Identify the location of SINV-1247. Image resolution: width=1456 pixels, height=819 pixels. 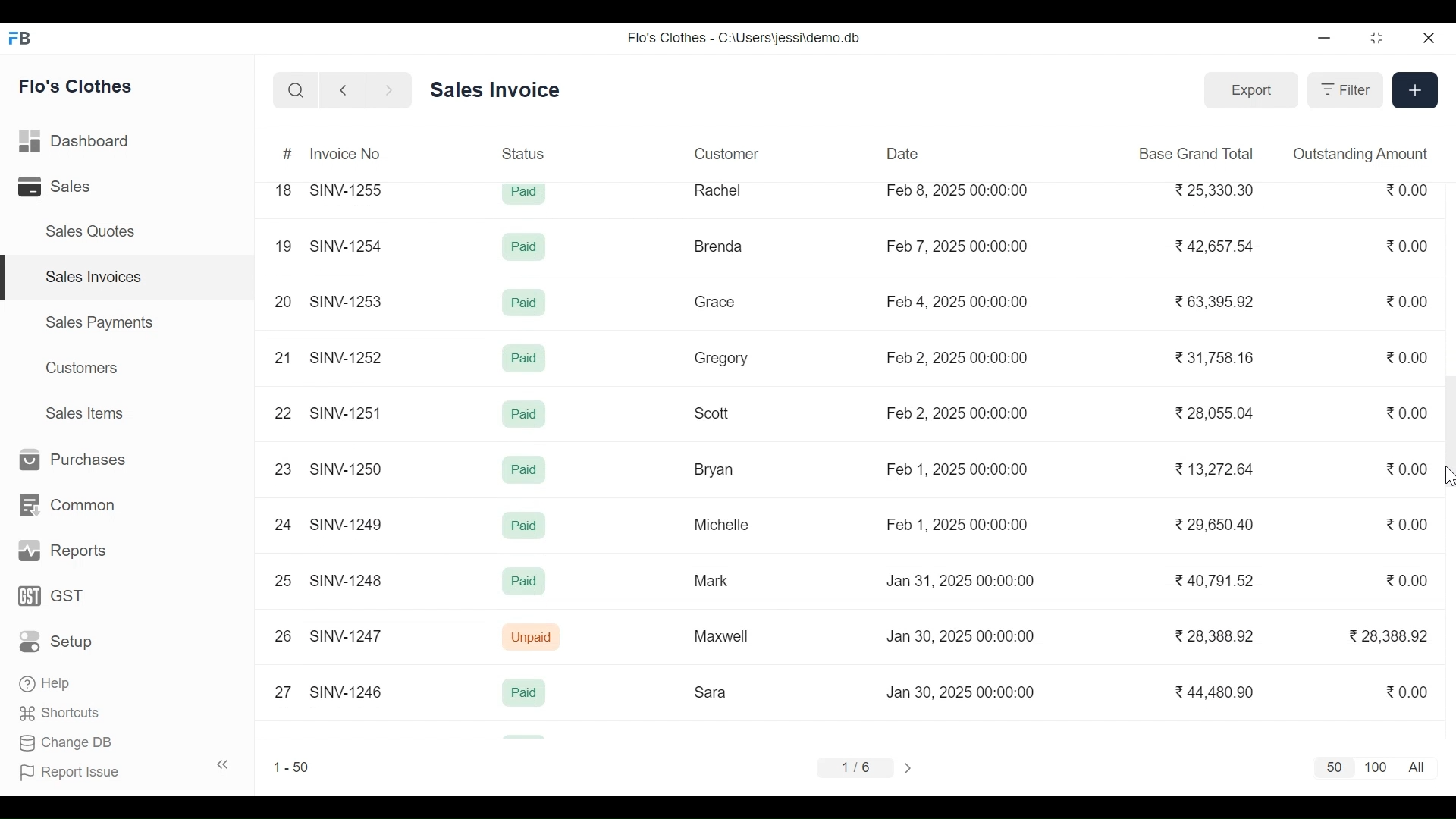
(349, 635).